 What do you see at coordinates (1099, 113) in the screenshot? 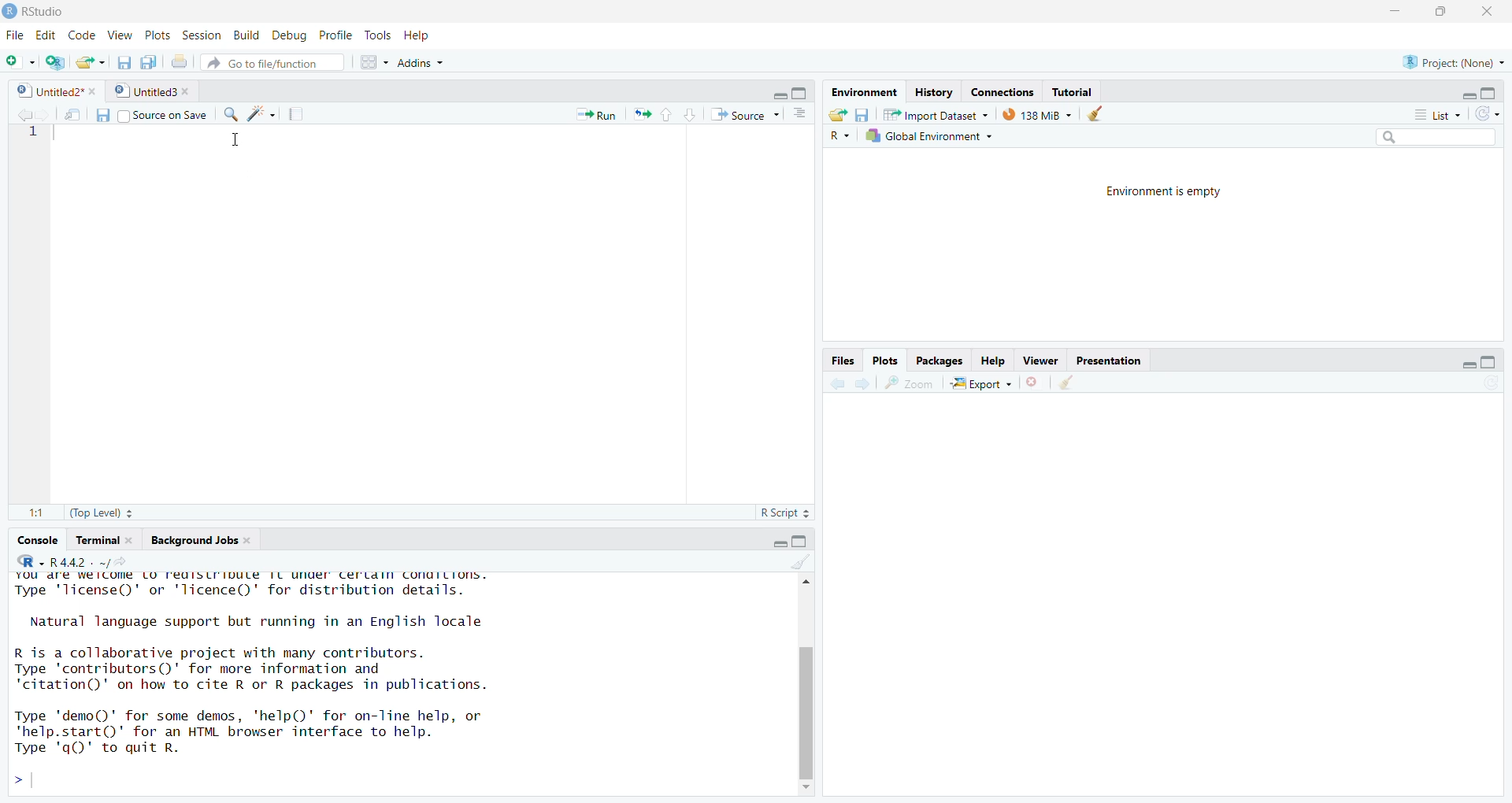
I see `Clear environment` at bounding box center [1099, 113].